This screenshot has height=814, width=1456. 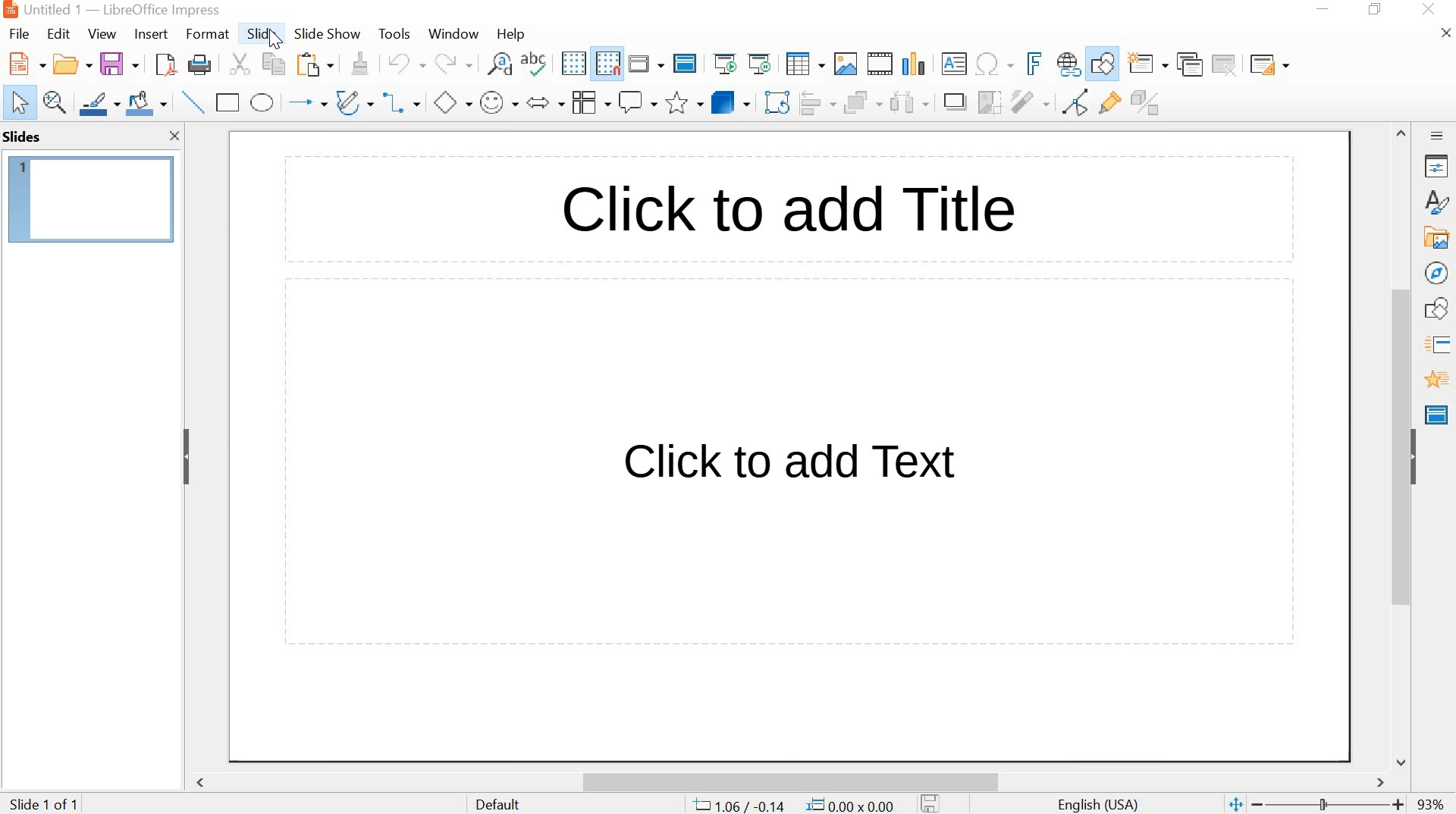 What do you see at coordinates (1314, 805) in the screenshot?
I see `ZOOM OUT OR ZOOM IN` at bounding box center [1314, 805].